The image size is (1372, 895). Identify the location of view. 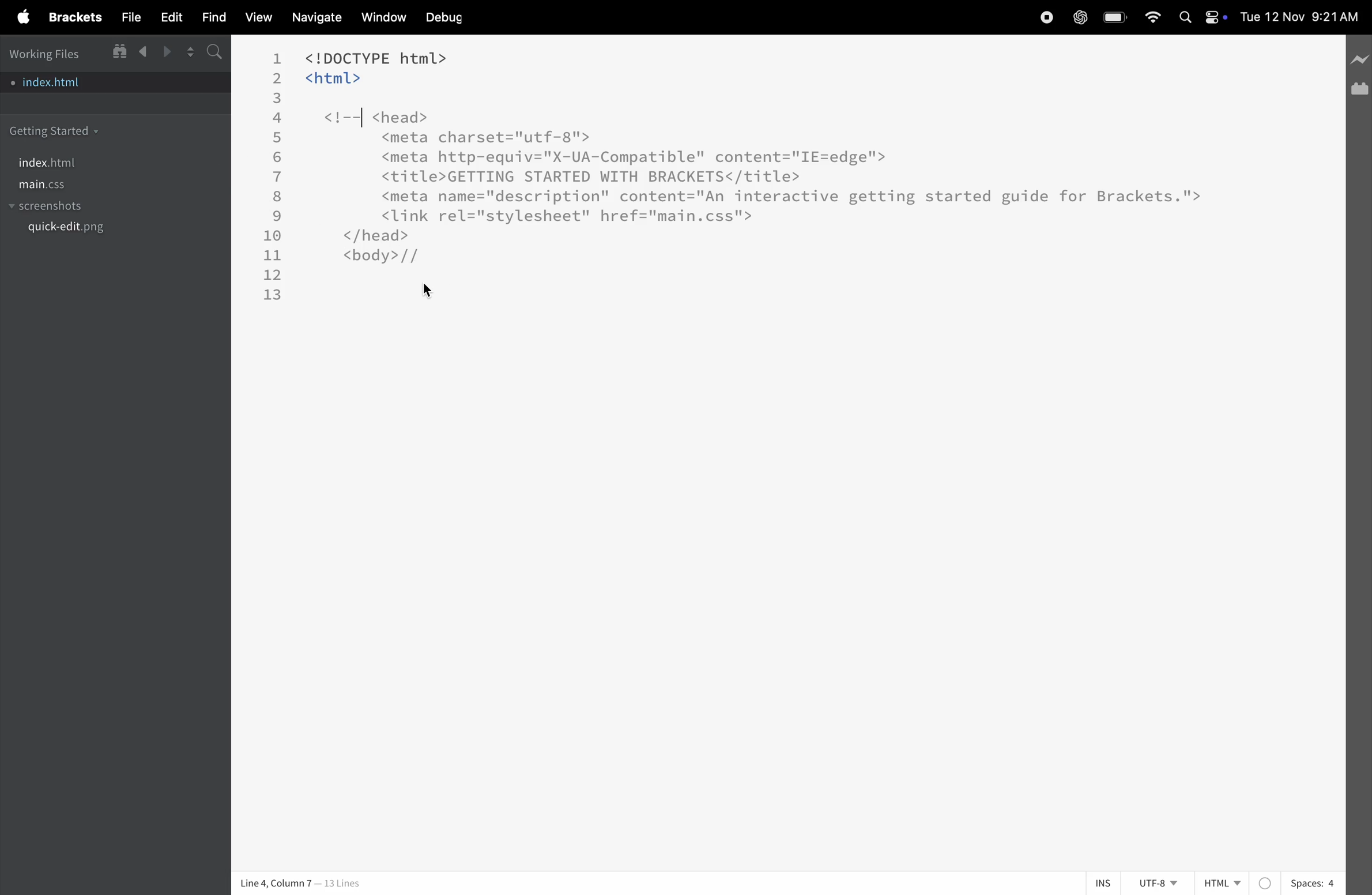
(255, 18).